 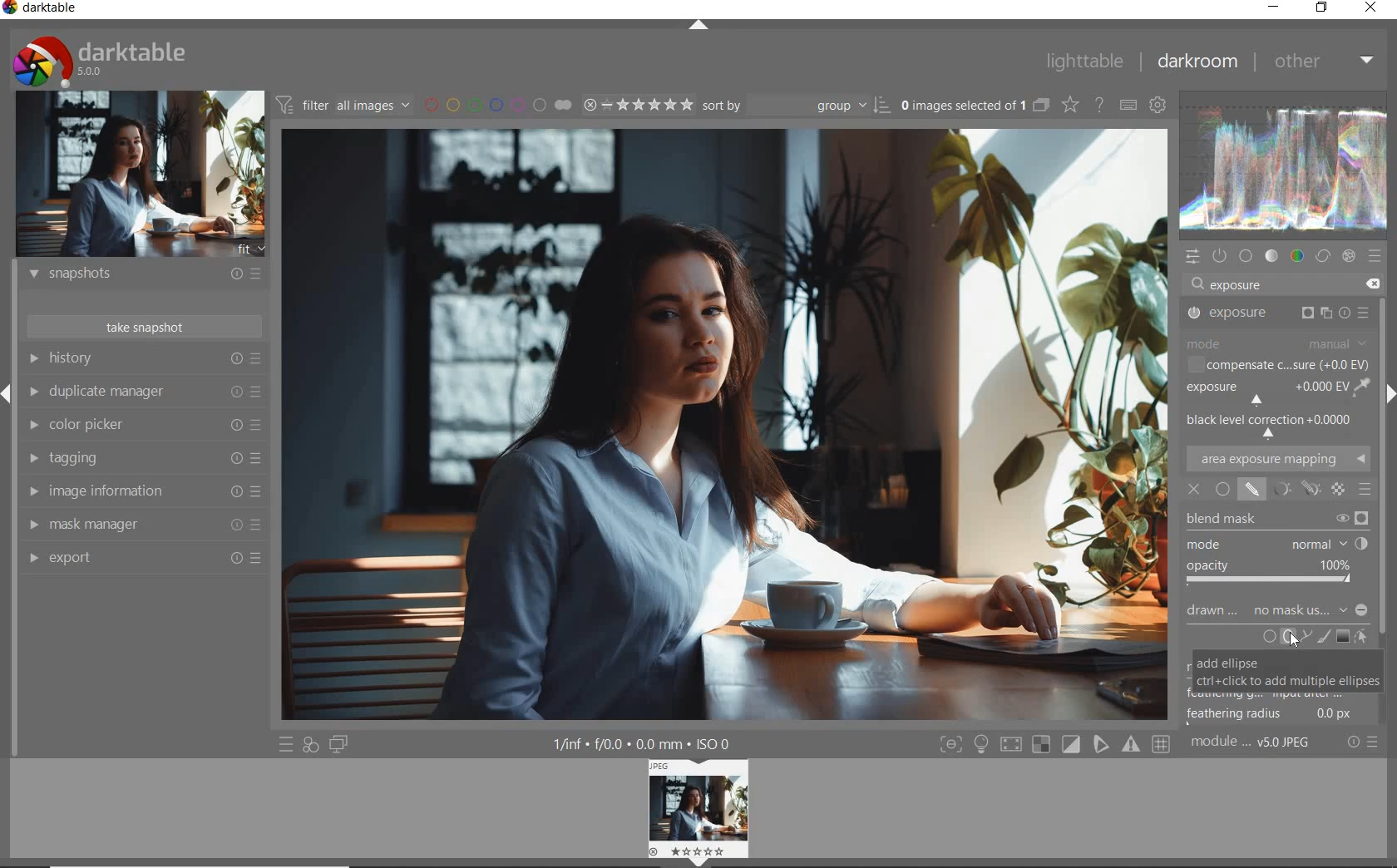 I want to click on correct, so click(x=1321, y=256).